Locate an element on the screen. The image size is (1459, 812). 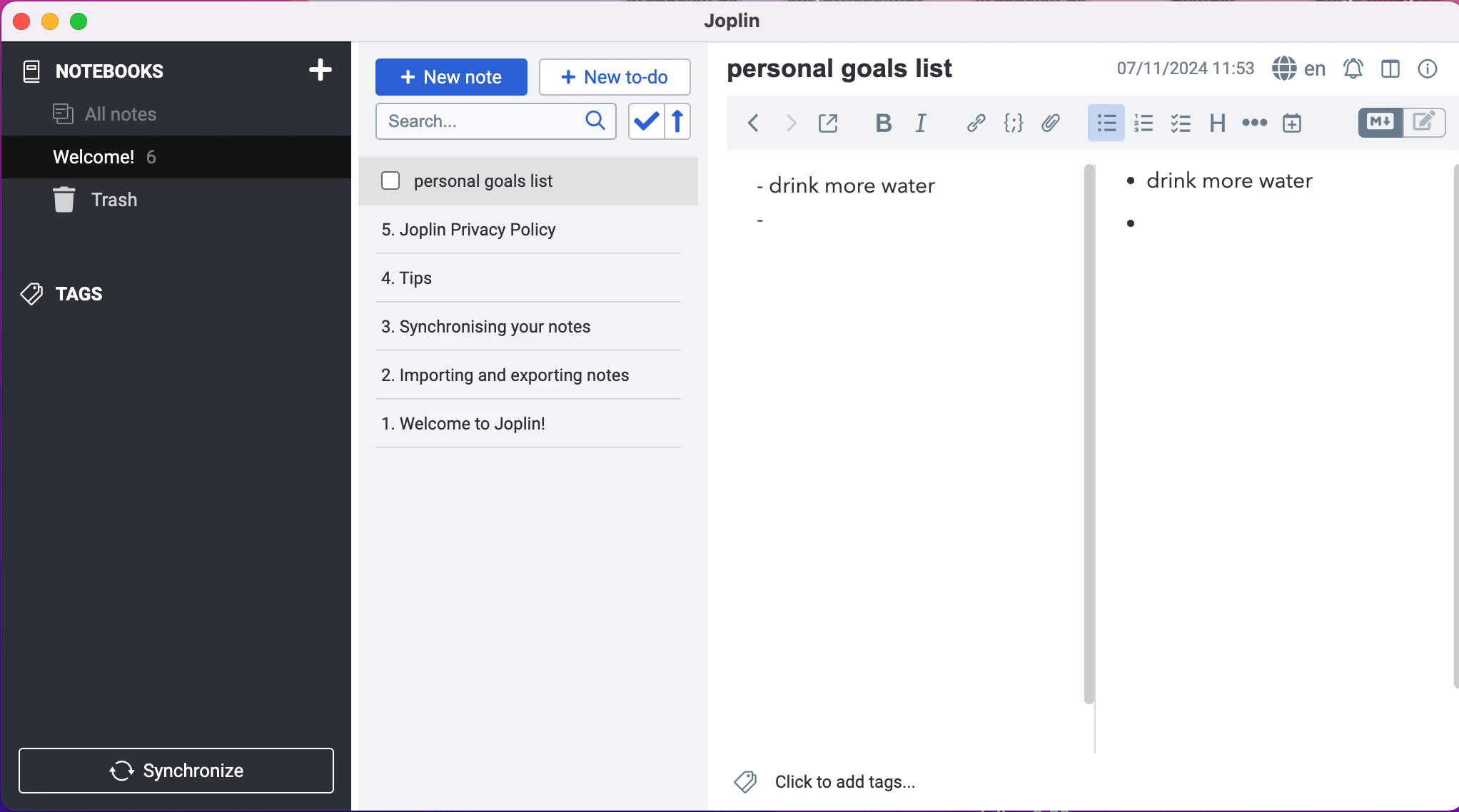
tags is located at coordinates (92, 291).